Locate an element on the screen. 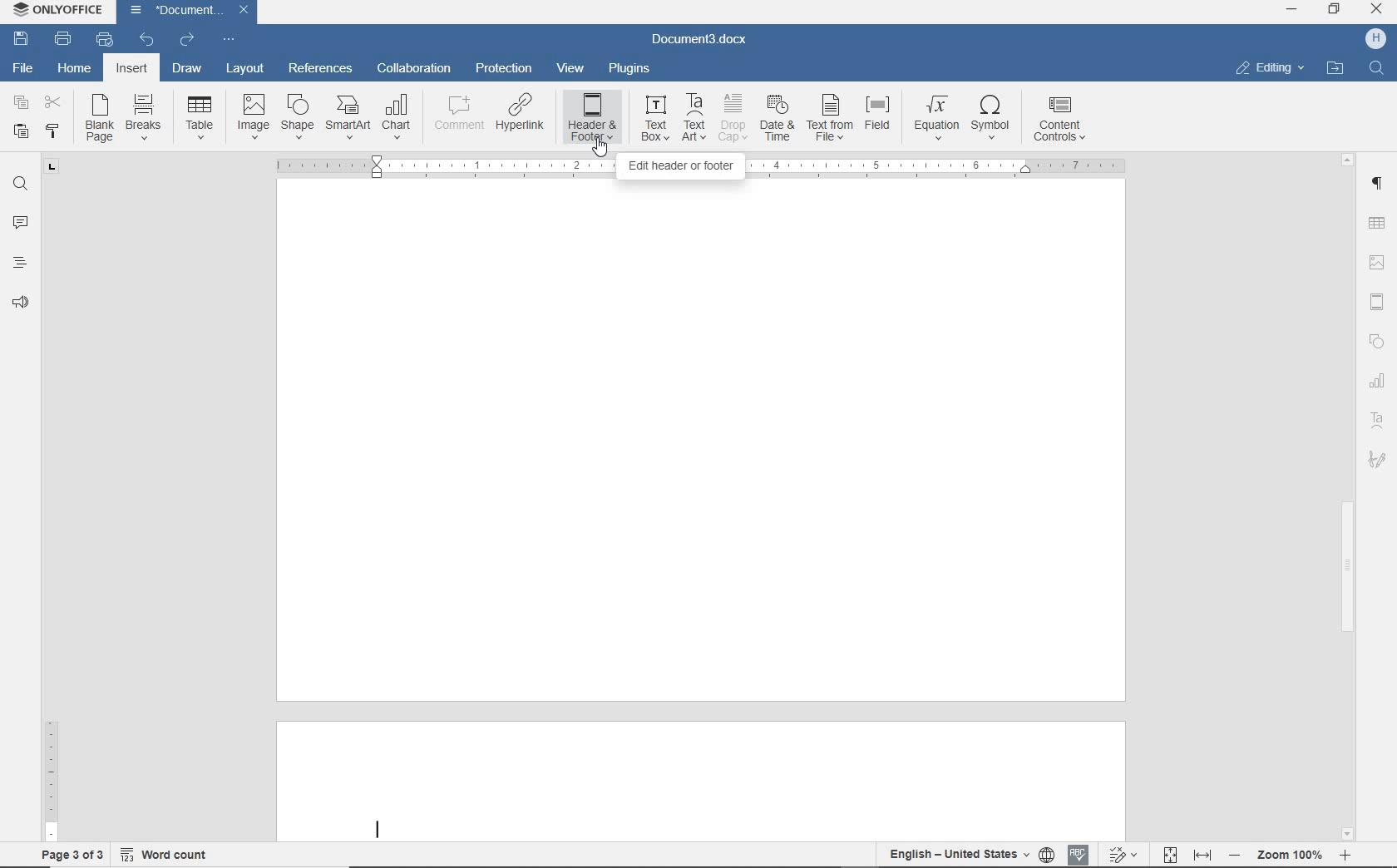  IMAGE is located at coordinates (1379, 264).